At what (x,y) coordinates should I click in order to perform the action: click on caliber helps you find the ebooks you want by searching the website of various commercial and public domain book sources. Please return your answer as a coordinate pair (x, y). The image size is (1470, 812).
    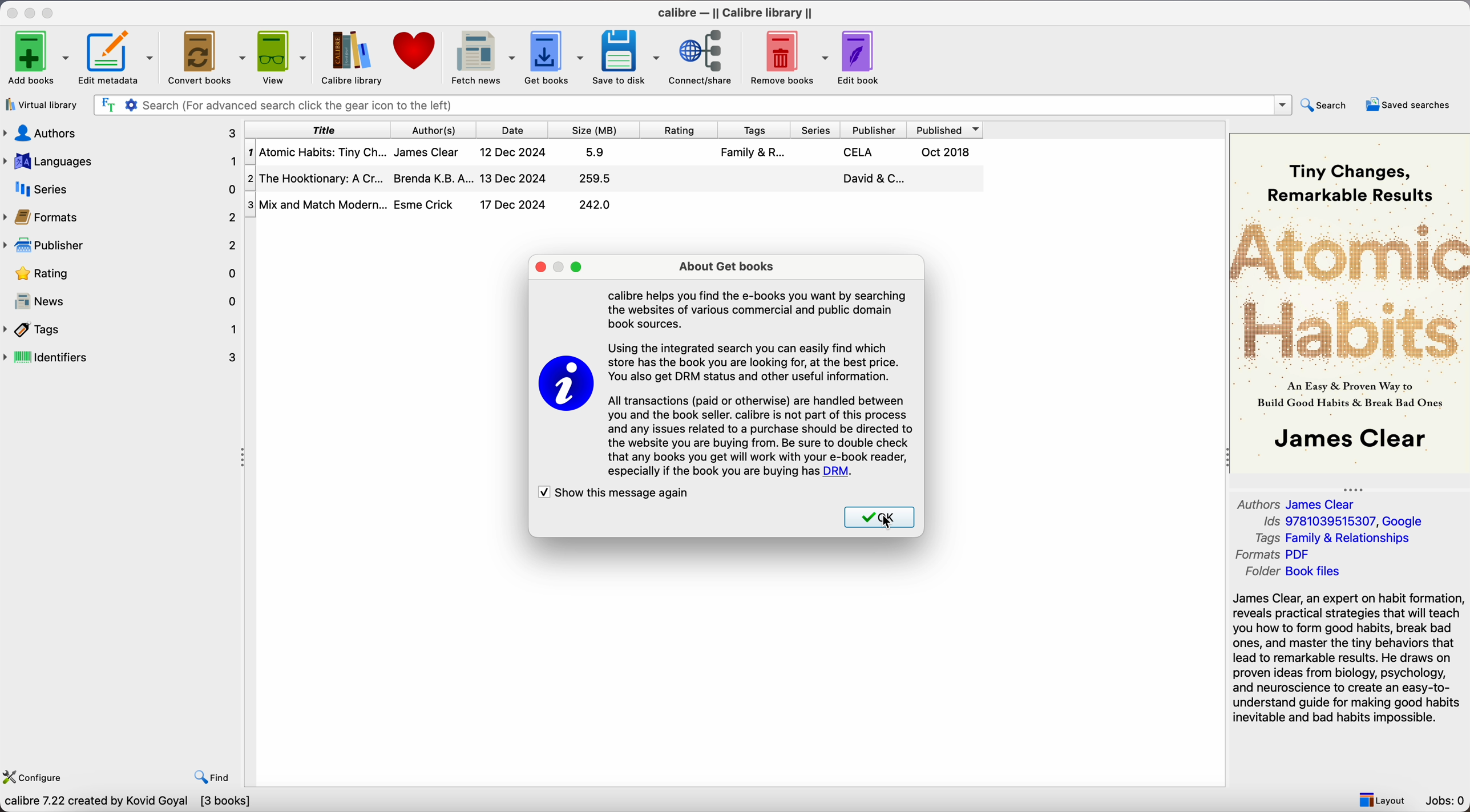
    Looking at the image, I should click on (760, 309).